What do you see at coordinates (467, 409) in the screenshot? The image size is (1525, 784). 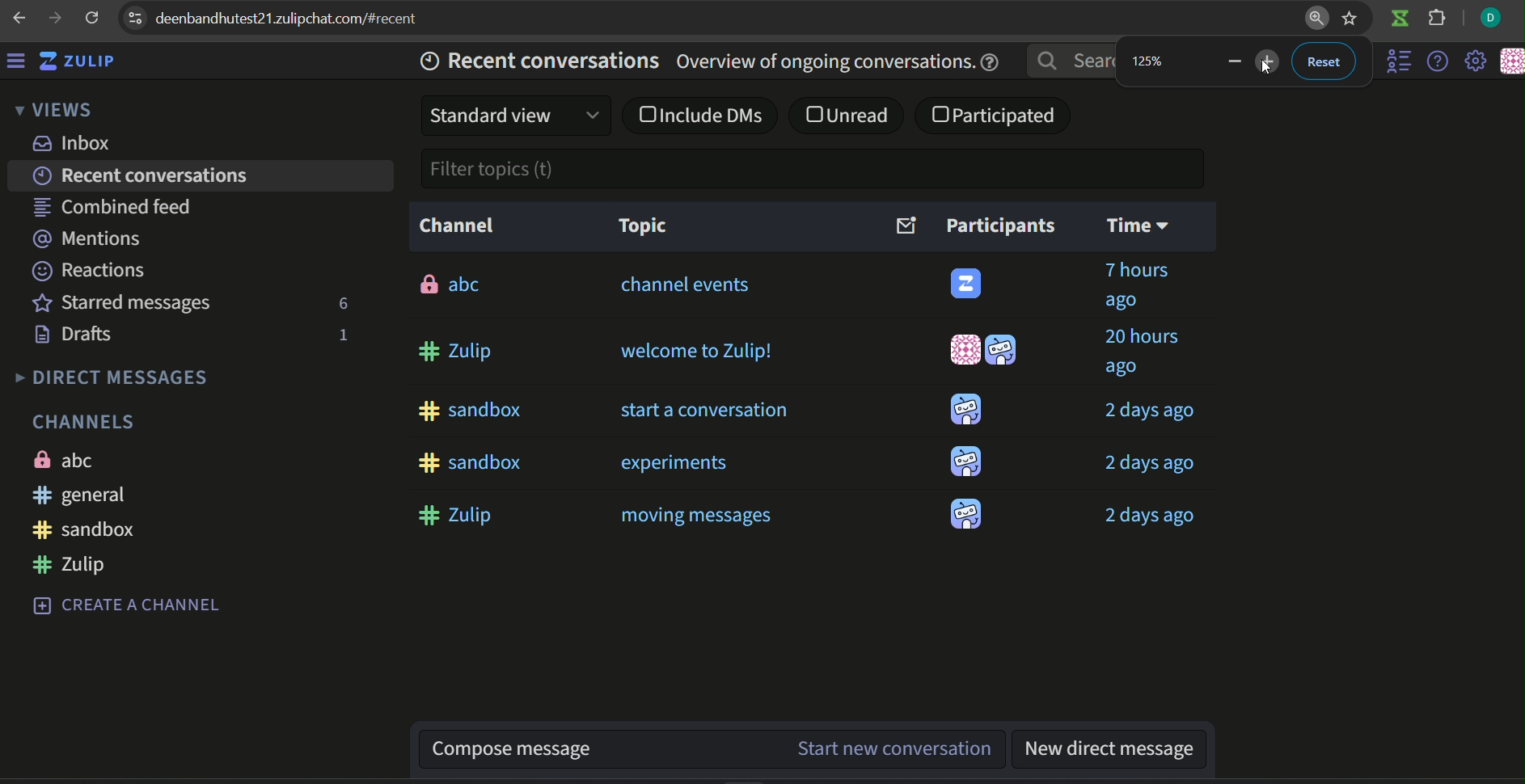 I see `#sandbox` at bounding box center [467, 409].